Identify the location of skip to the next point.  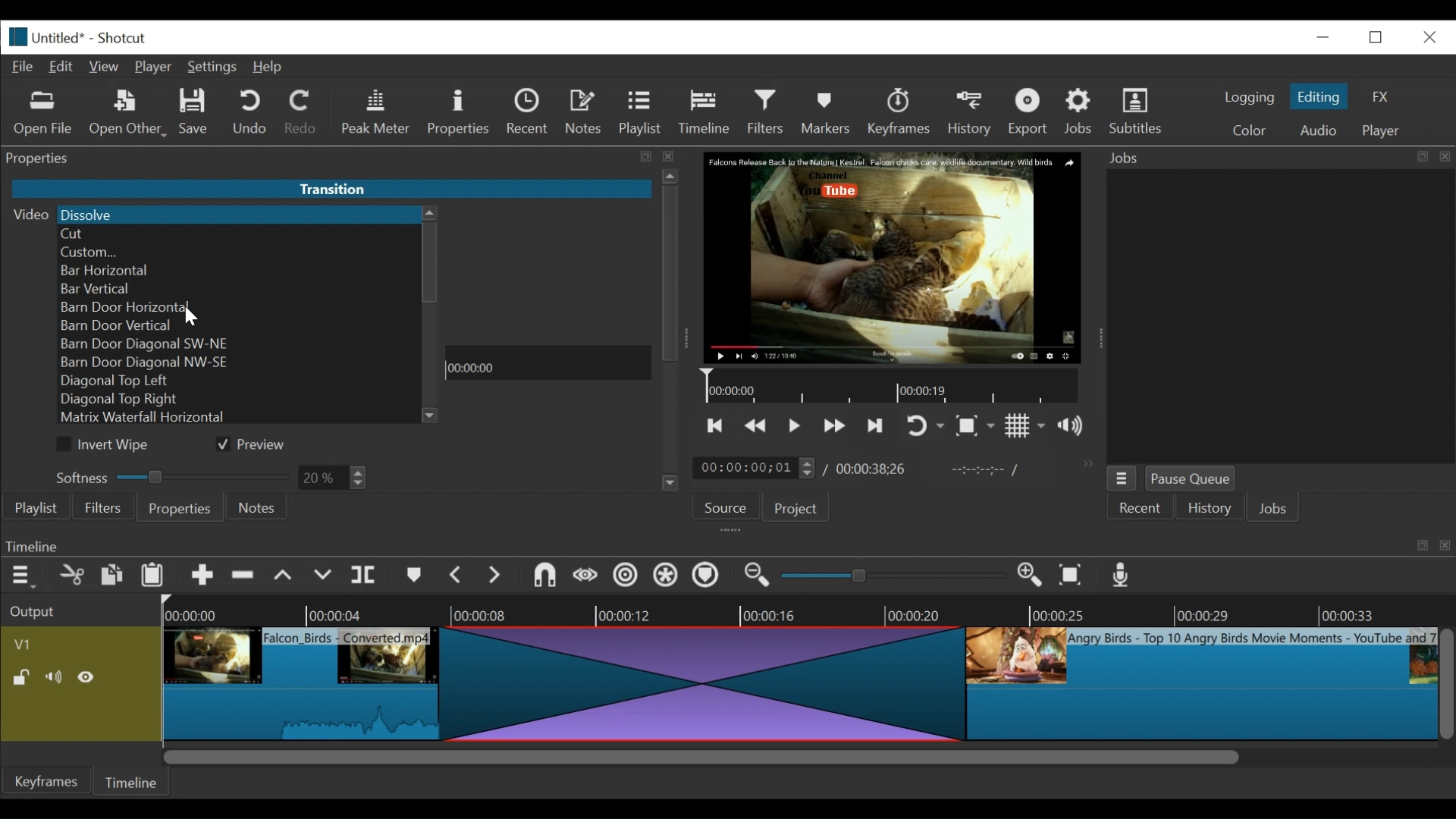
(877, 425).